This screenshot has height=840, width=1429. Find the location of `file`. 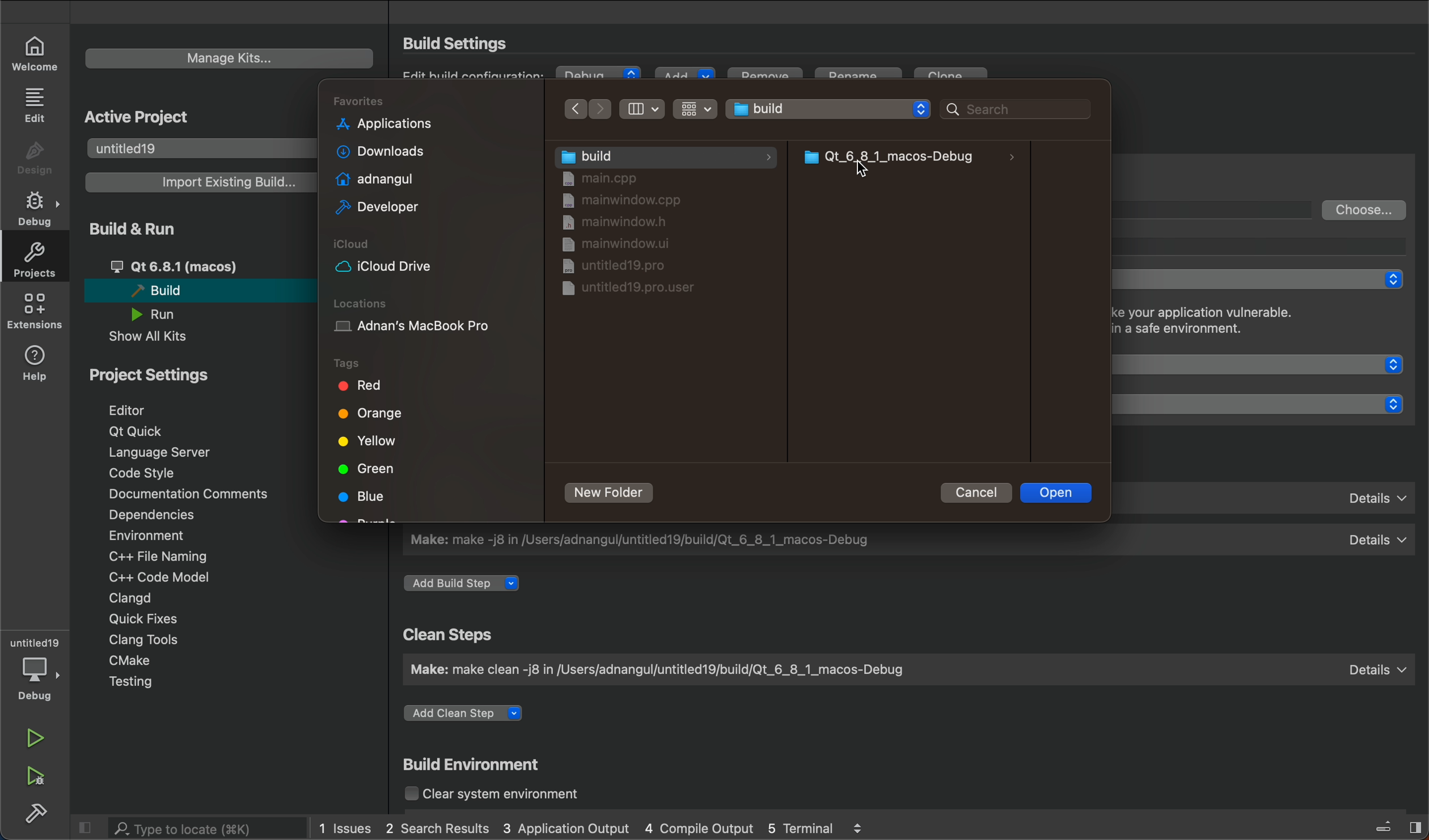

file is located at coordinates (614, 179).